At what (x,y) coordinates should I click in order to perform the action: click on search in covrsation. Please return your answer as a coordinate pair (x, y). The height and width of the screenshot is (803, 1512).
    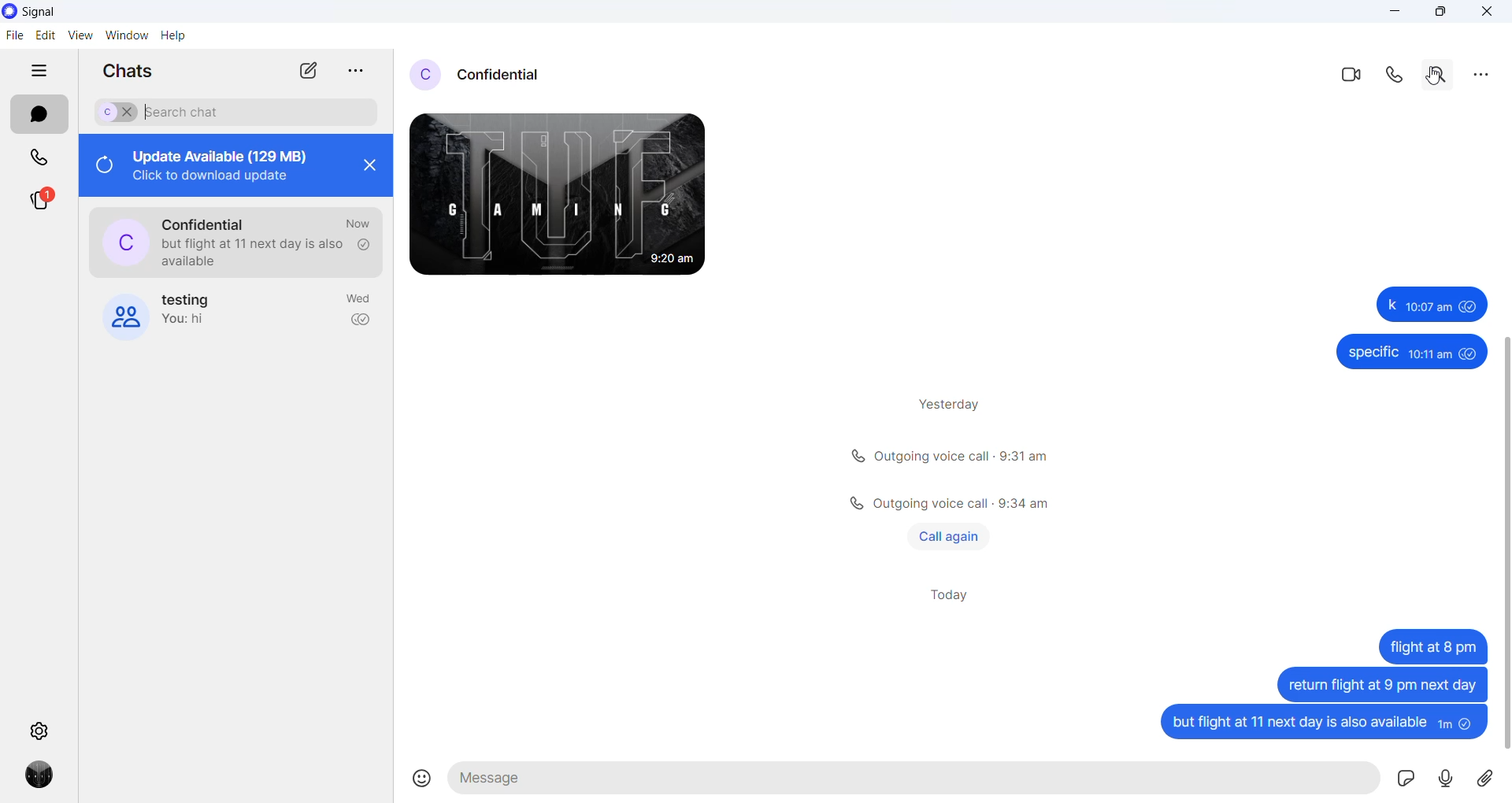
    Looking at the image, I should click on (1438, 76).